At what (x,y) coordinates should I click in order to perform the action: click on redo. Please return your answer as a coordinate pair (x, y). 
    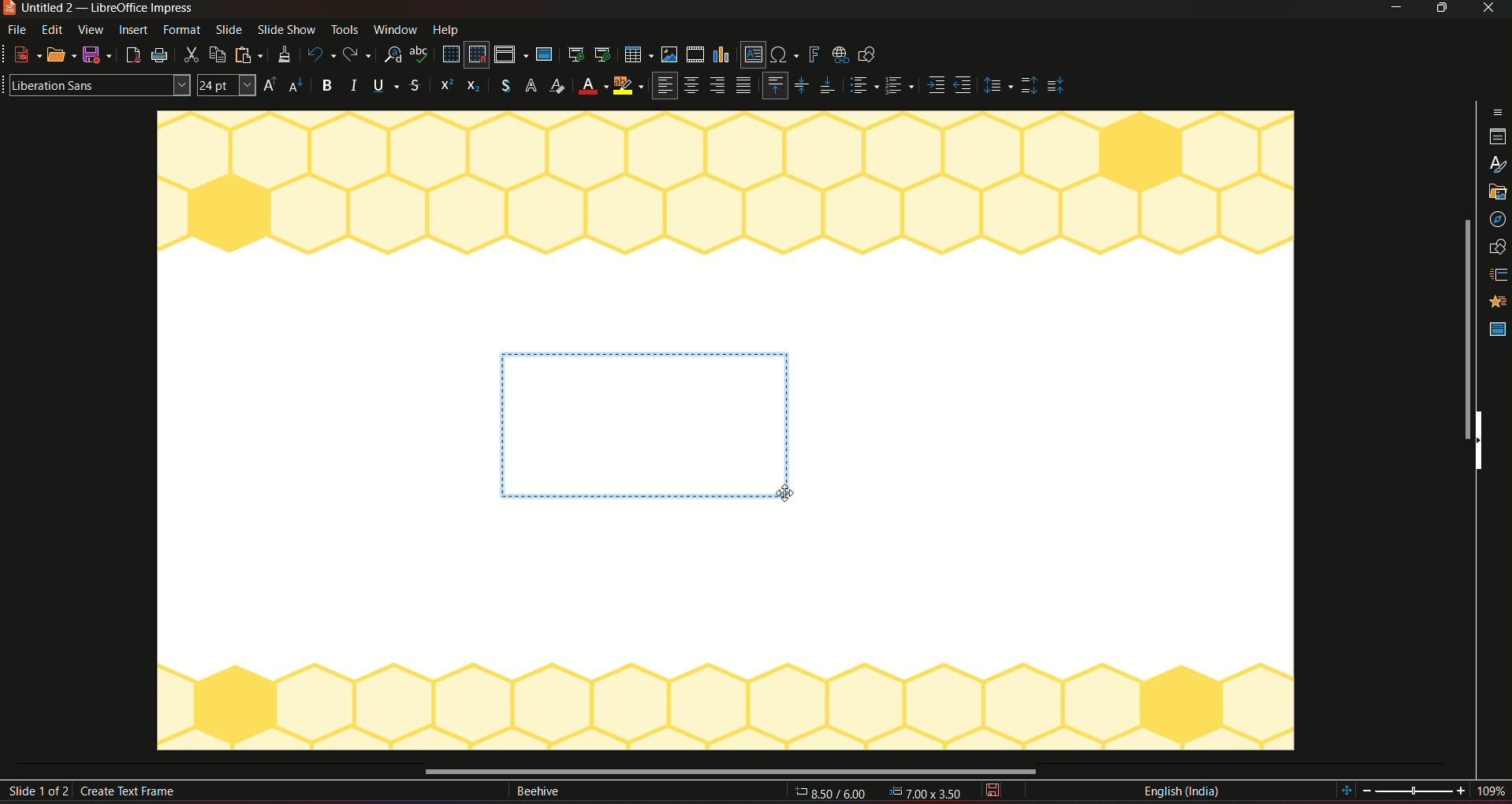
    Looking at the image, I should click on (360, 54).